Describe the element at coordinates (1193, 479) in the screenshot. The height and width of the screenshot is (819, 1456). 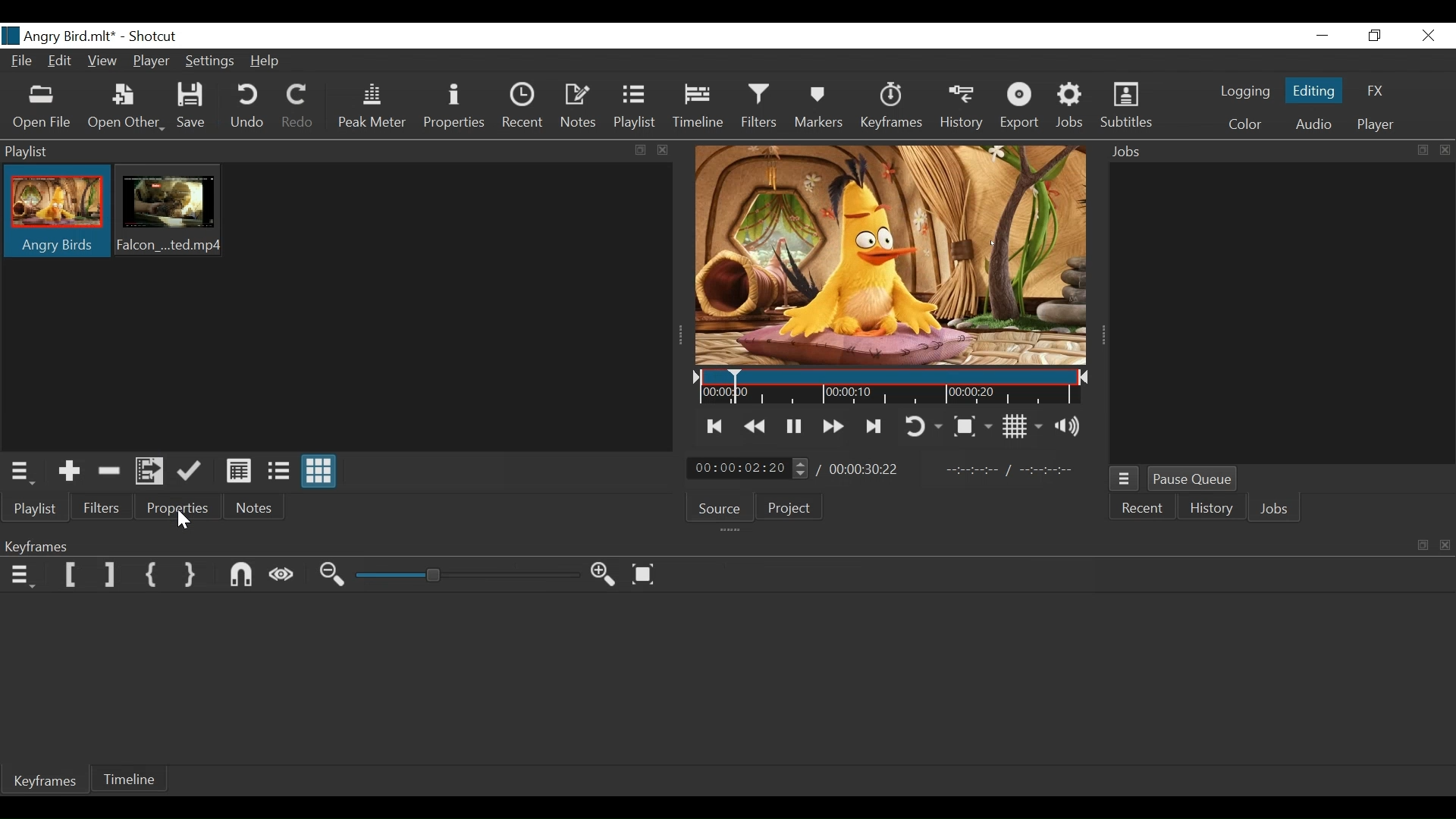
I see `Pause Queue` at that location.